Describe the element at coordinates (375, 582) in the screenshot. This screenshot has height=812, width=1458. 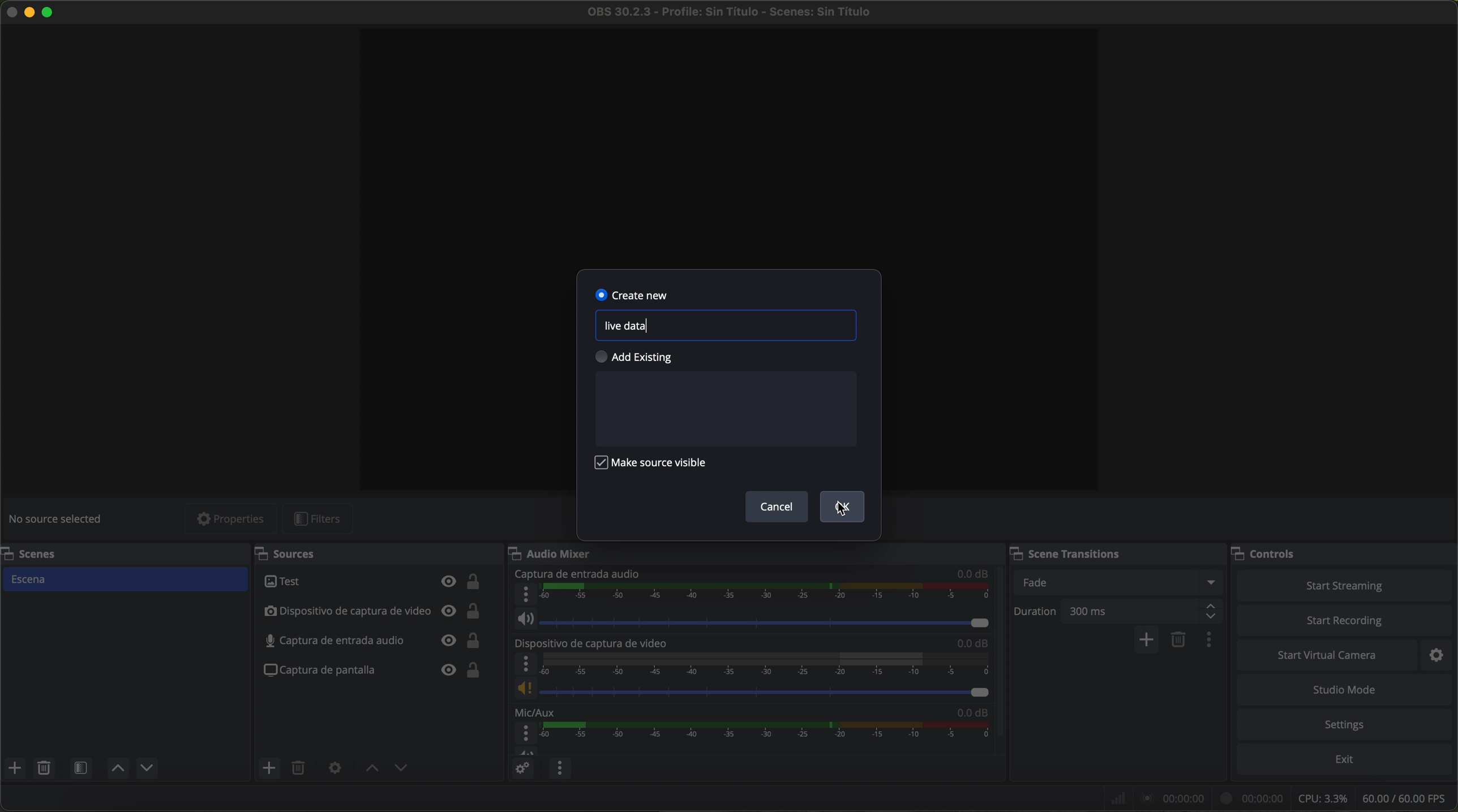
I see `test` at that location.